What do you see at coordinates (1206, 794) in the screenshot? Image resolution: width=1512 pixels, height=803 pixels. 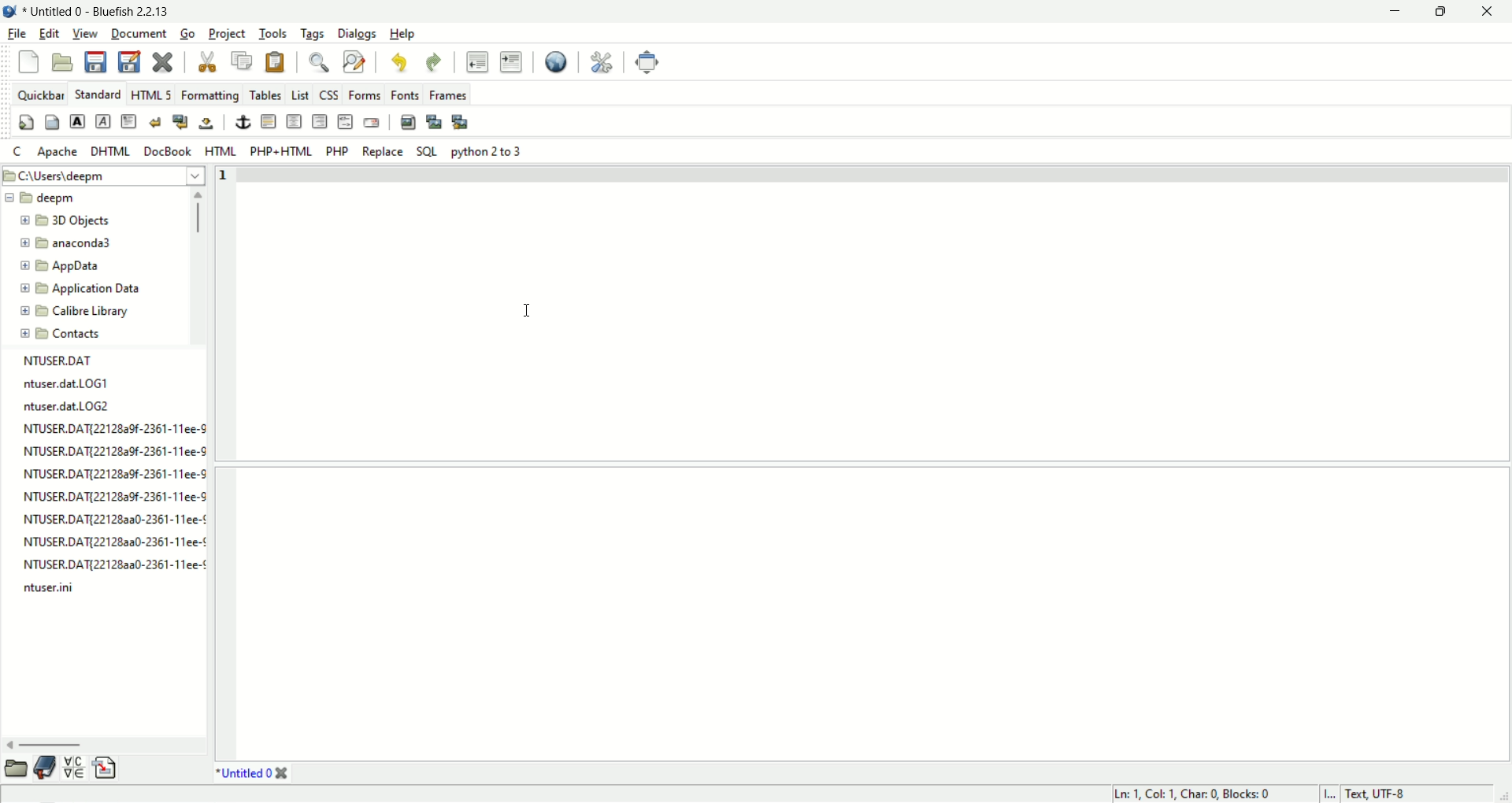 I see `Ln 1, Col 1, Char 0, Blocks:0` at bounding box center [1206, 794].